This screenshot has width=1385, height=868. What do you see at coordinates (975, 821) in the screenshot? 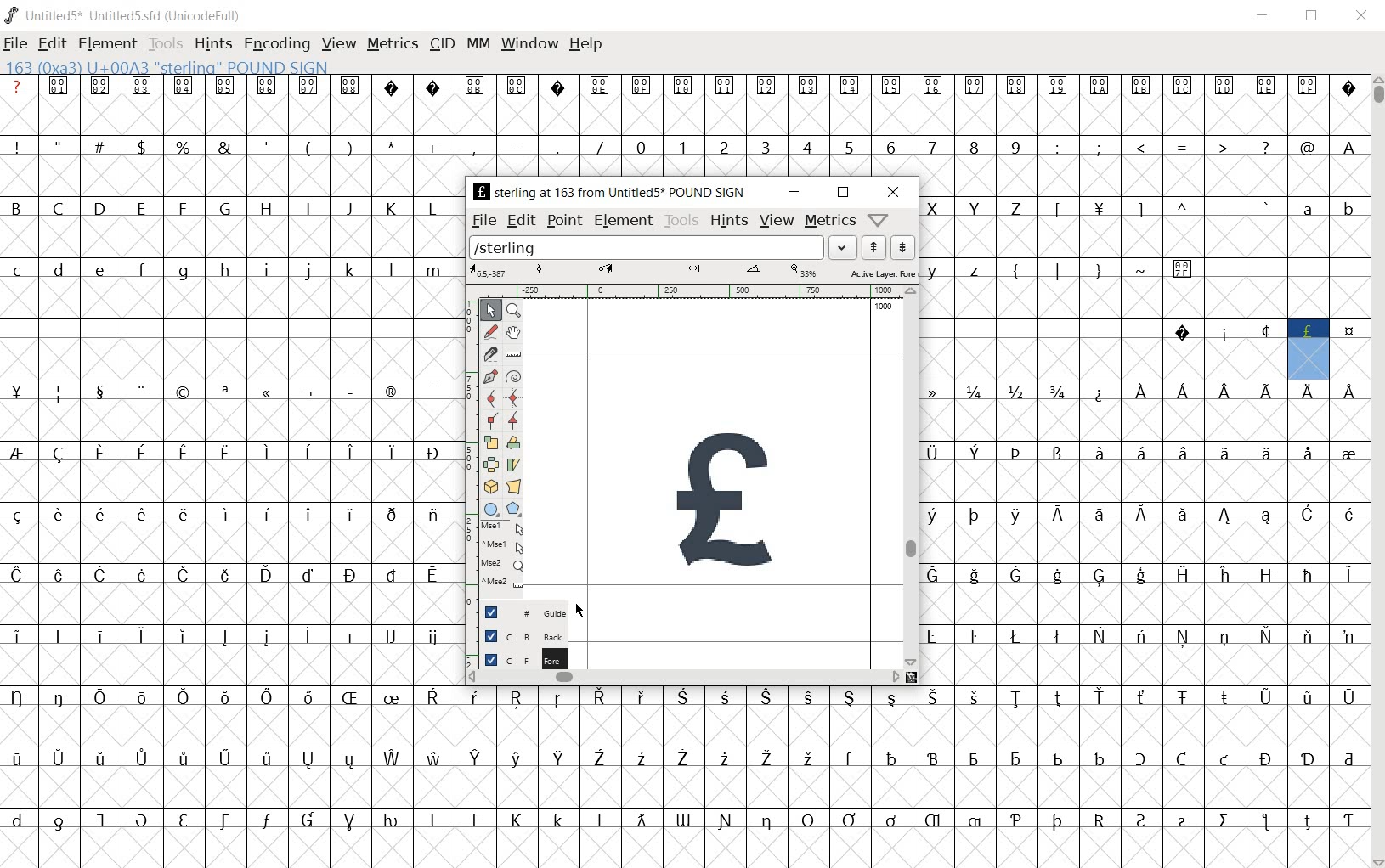
I see `Symbol` at bounding box center [975, 821].